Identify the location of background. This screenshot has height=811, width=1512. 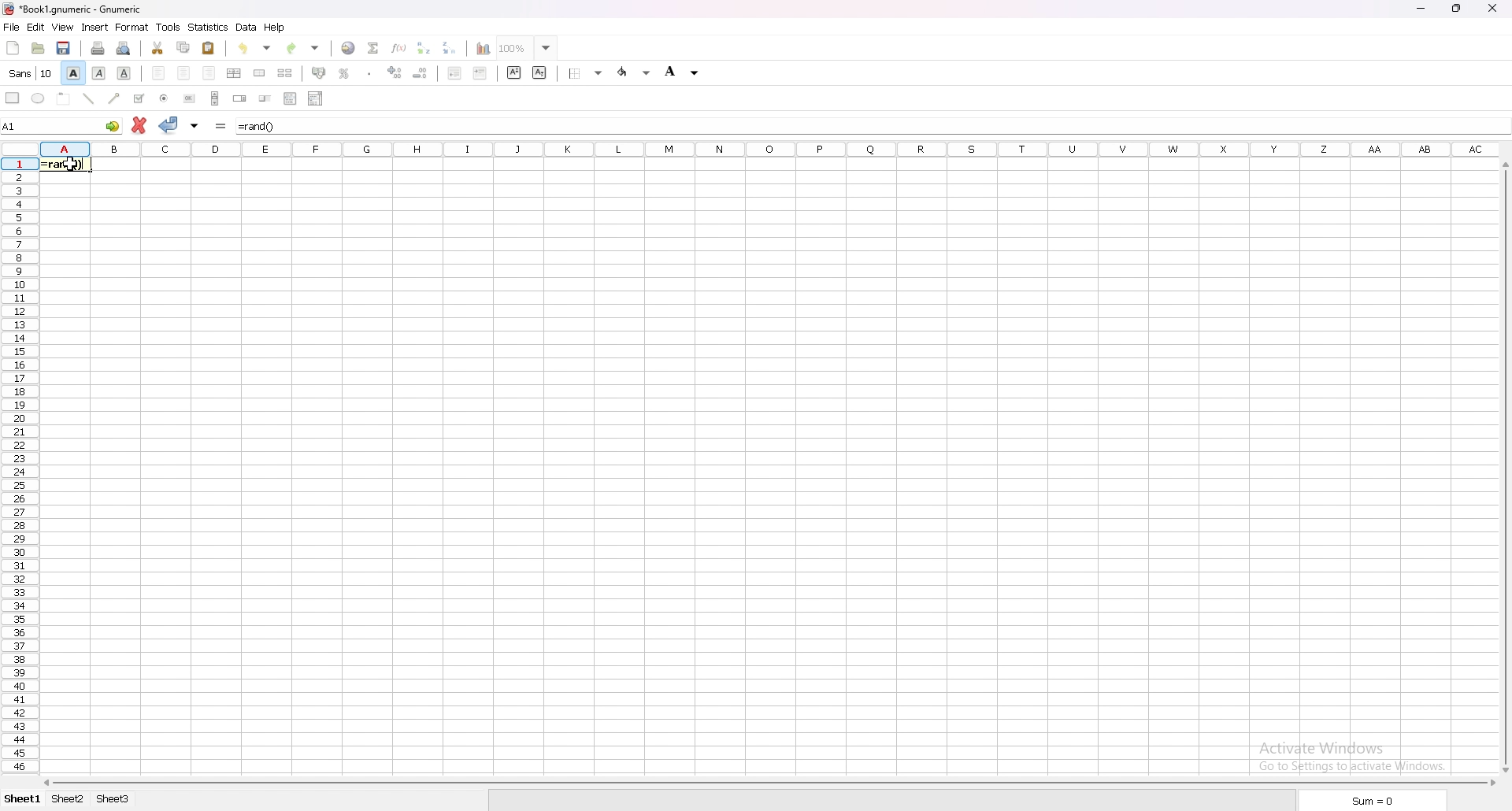
(682, 71).